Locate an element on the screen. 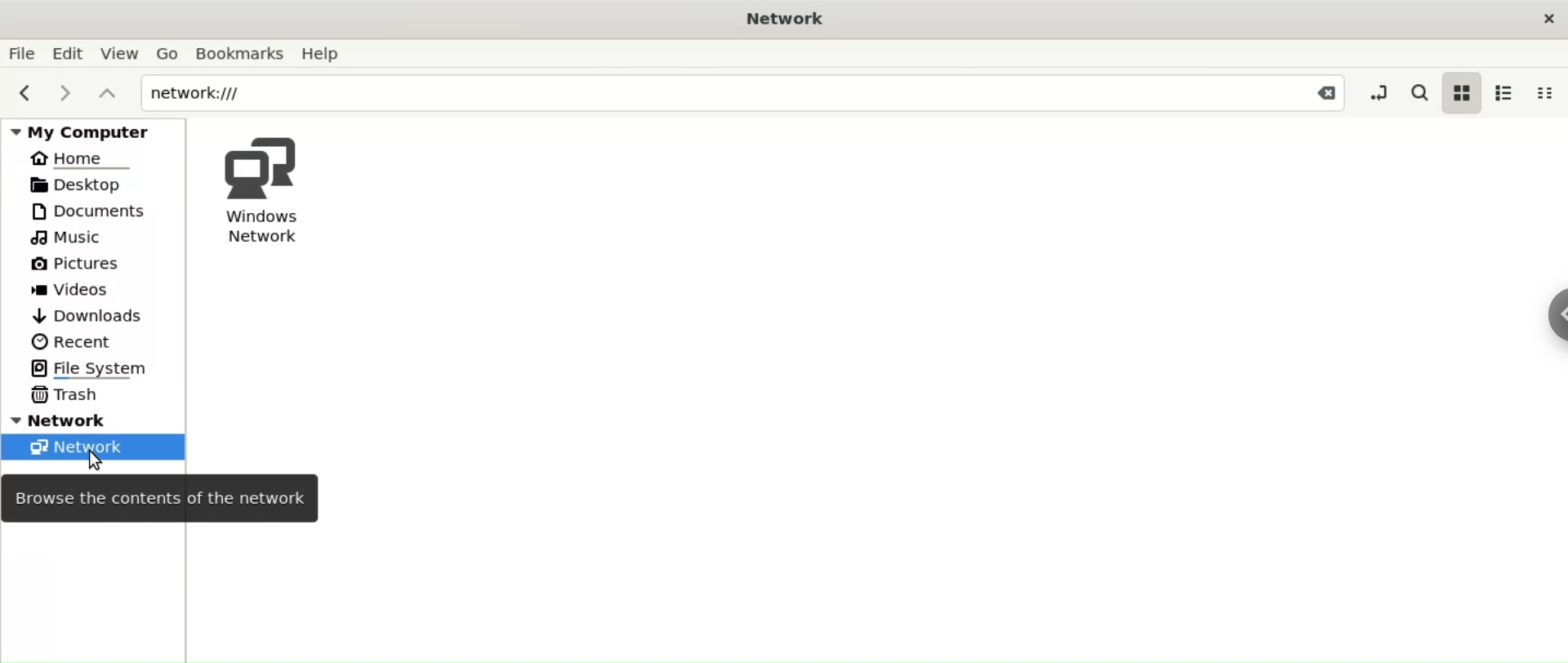 Image resolution: width=1568 pixels, height=663 pixels. Network is located at coordinates (784, 17).